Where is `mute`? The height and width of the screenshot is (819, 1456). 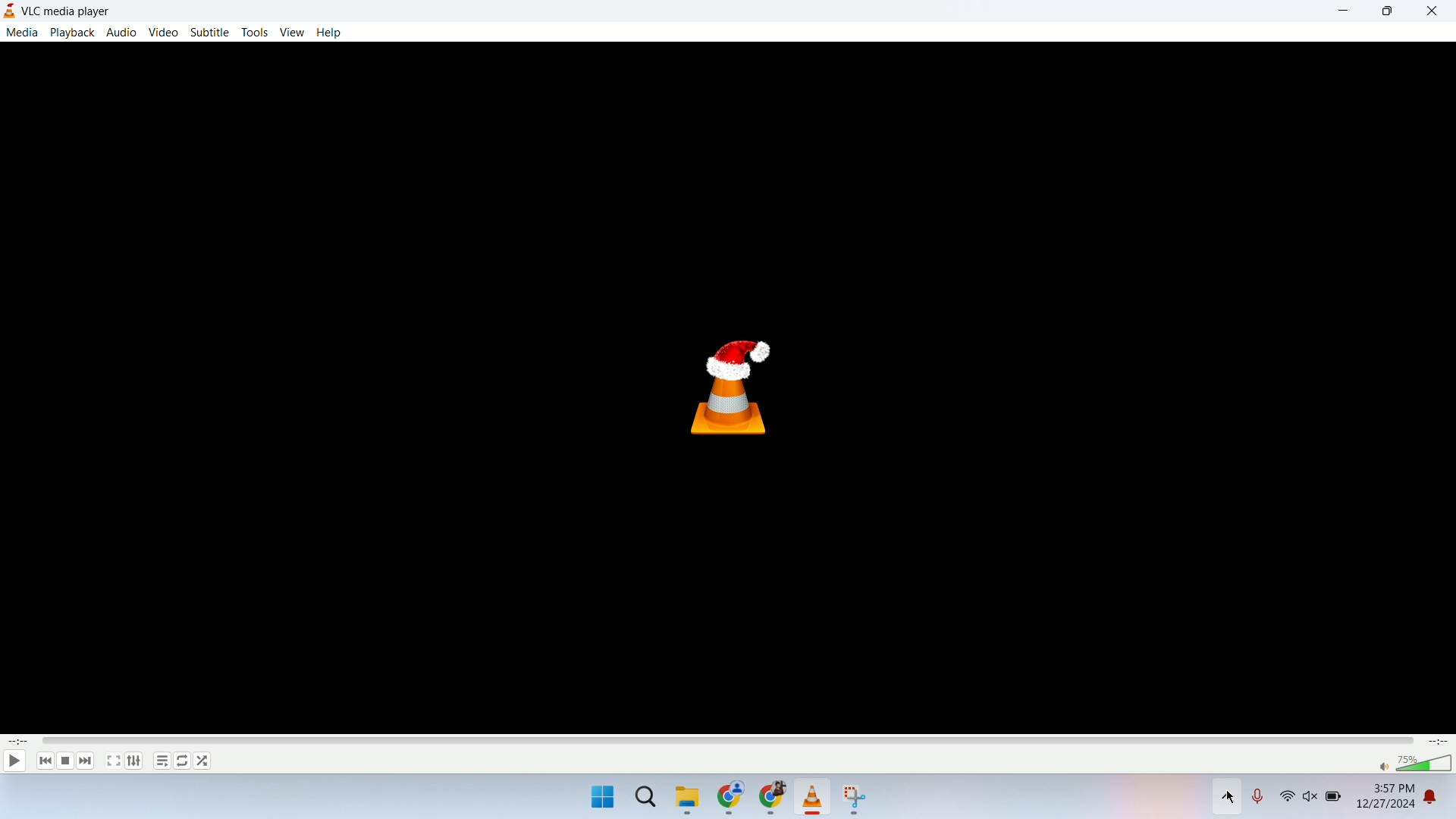
mute is located at coordinates (1382, 767).